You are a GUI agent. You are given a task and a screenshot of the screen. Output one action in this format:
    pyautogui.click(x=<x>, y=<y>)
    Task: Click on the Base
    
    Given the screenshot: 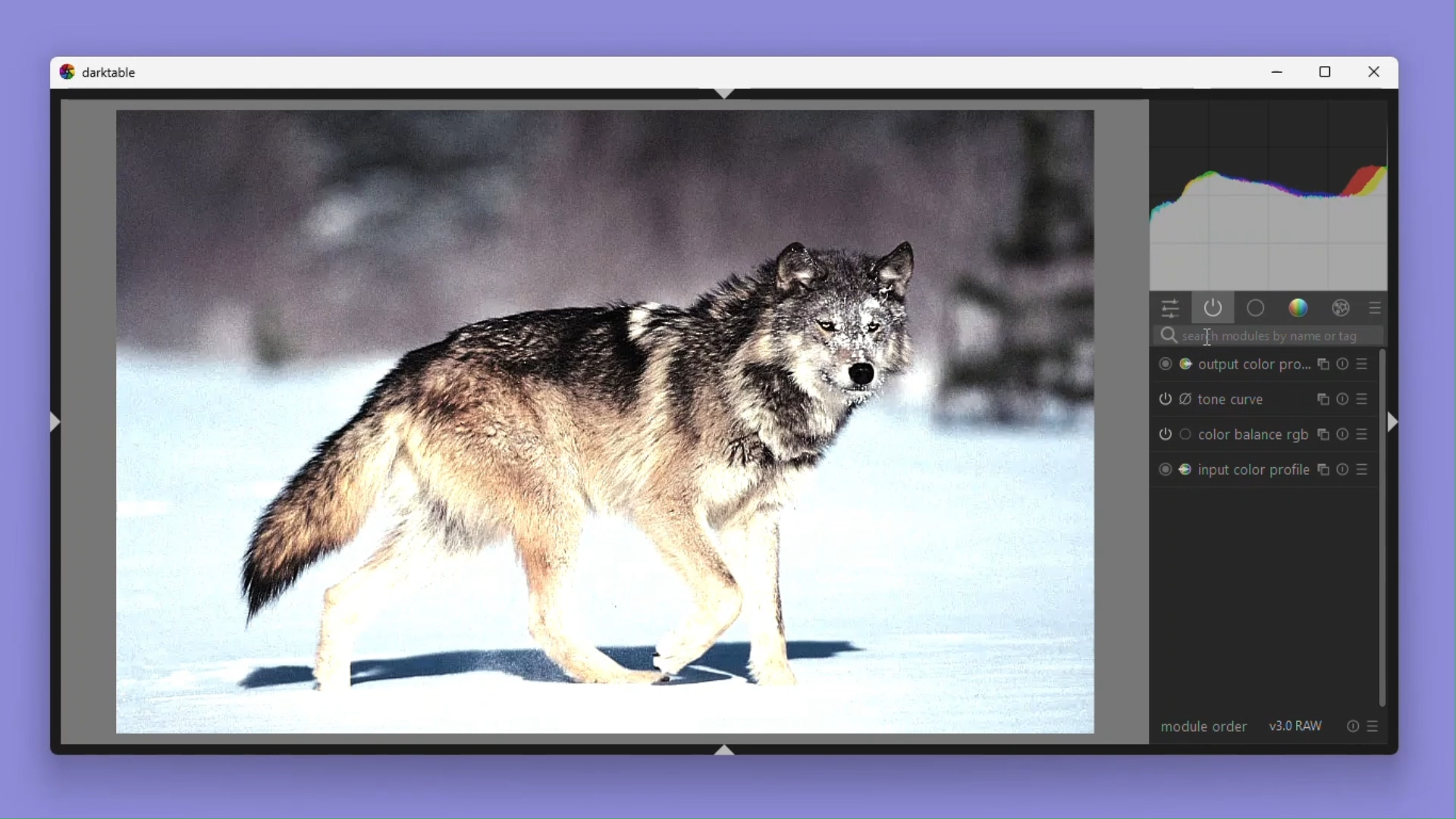 What is the action you would take?
    pyautogui.click(x=1257, y=309)
    